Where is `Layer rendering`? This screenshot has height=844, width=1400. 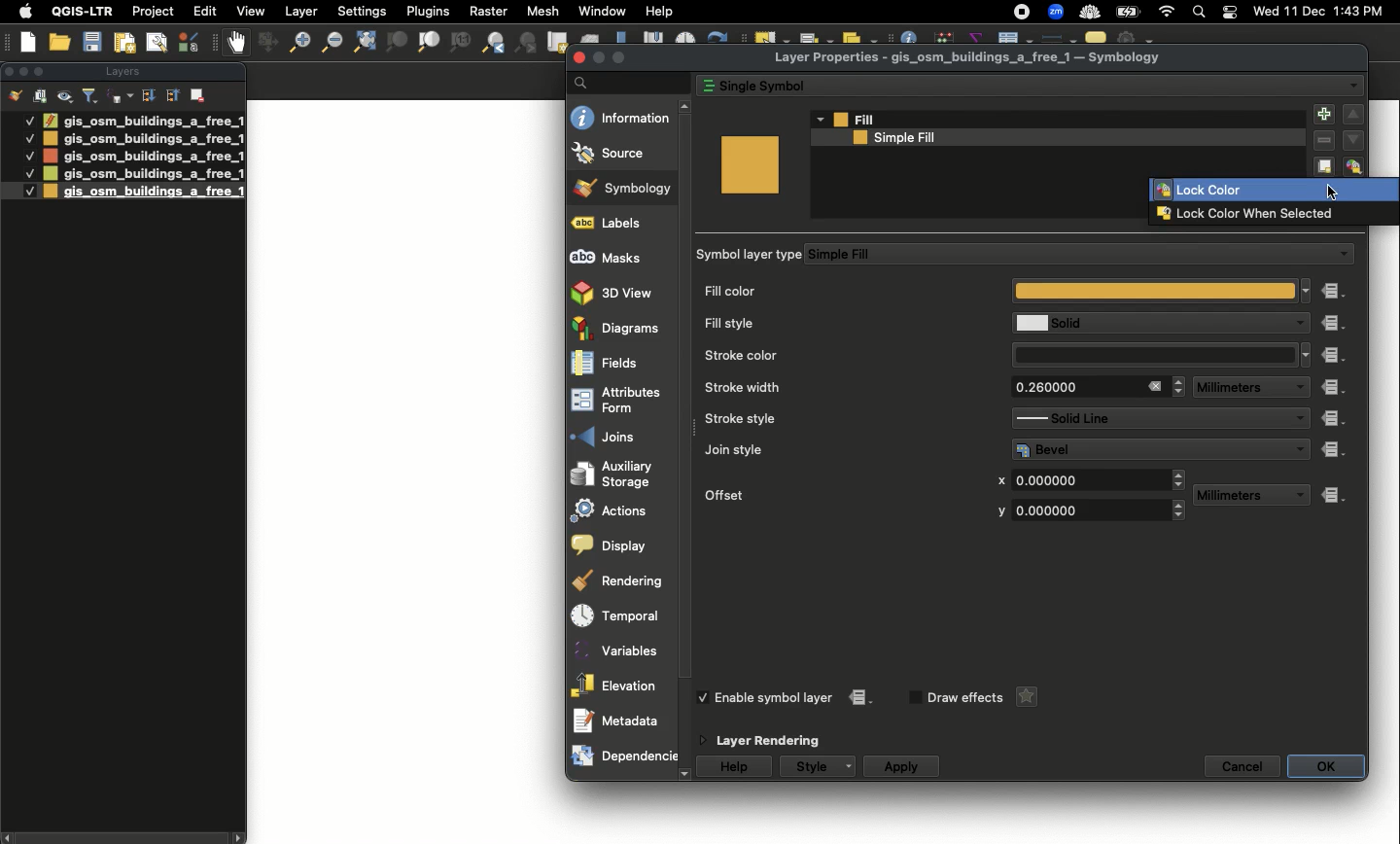
Layer rendering is located at coordinates (775, 741).